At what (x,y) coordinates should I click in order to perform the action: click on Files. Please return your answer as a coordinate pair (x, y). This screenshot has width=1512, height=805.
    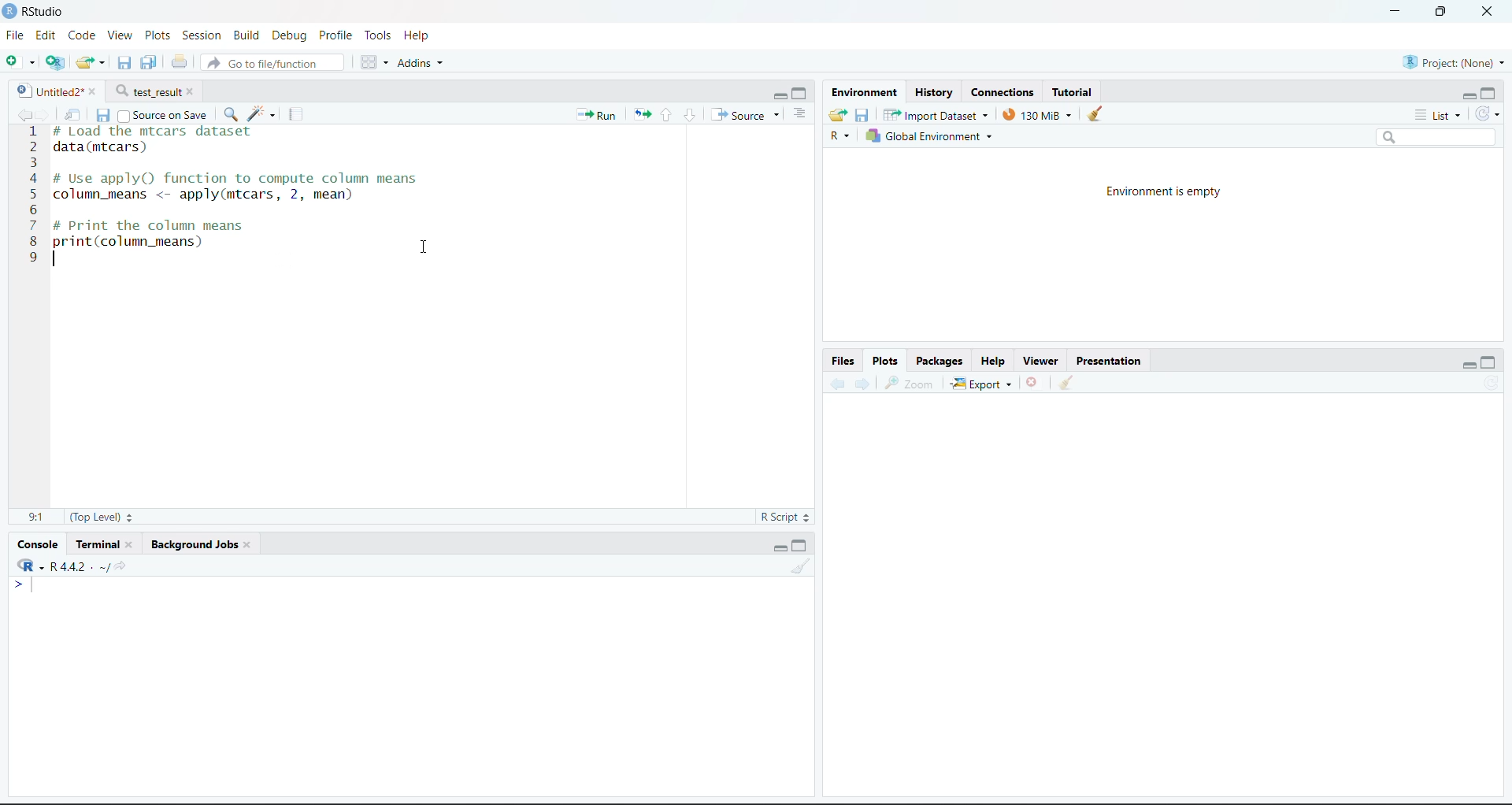
    Looking at the image, I should click on (843, 360).